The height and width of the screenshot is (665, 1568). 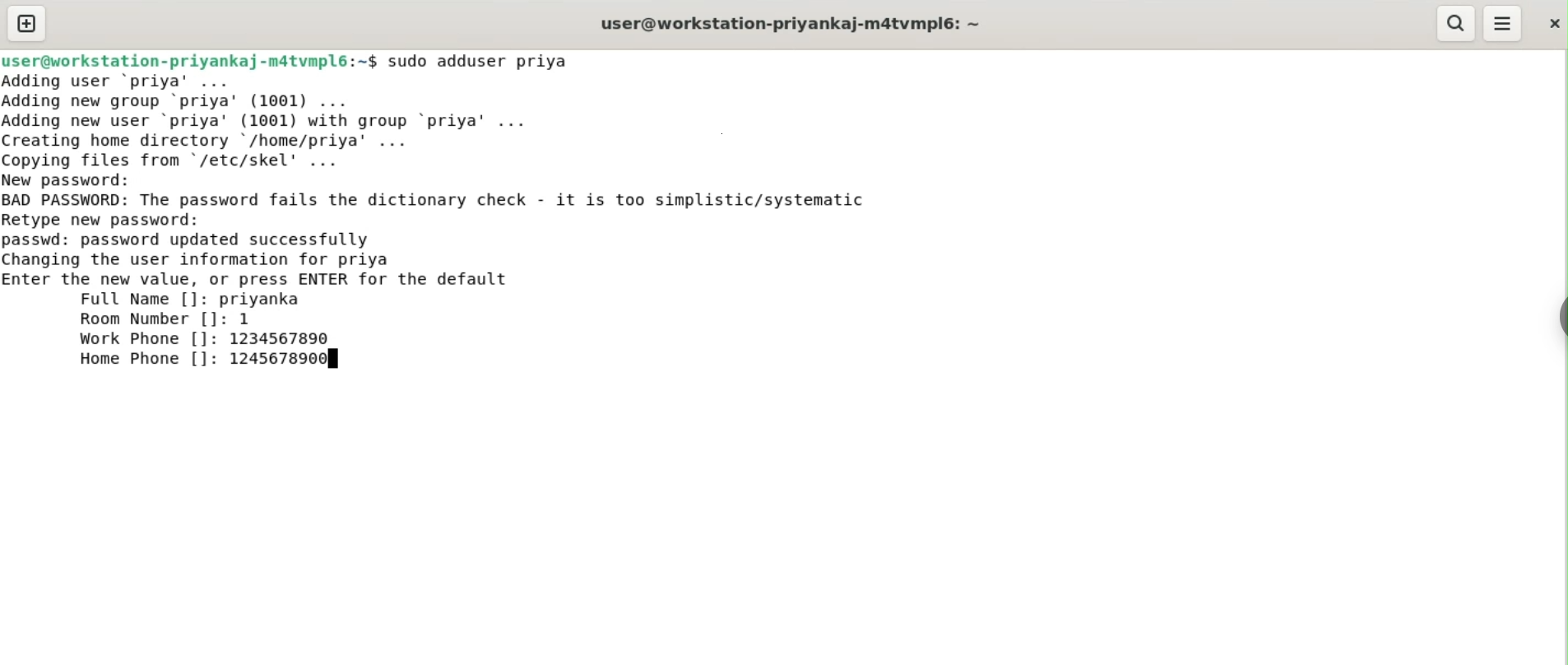 I want to click on sidebar, so click(x=1560, y=318).